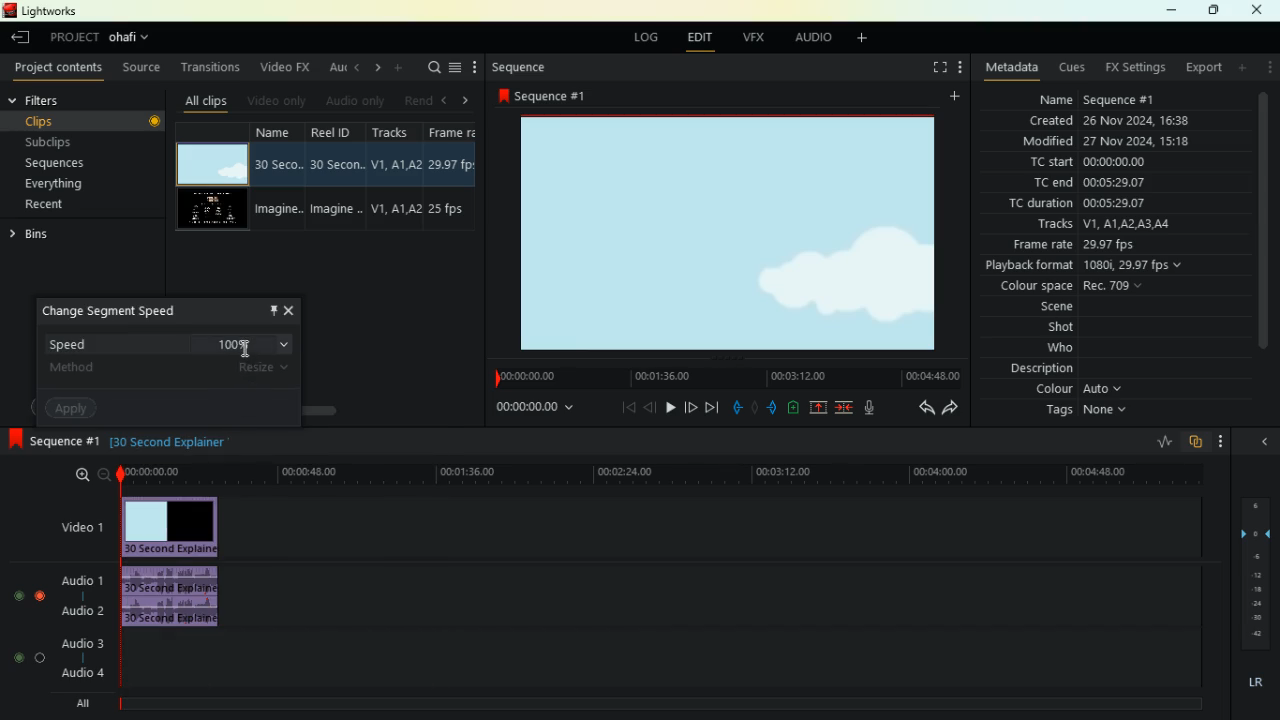 This screenshot has width=1280, height=720. What do you see at coordinates (527, 408) in the screenshot?
I see `time` at bounding box center [527, 408].